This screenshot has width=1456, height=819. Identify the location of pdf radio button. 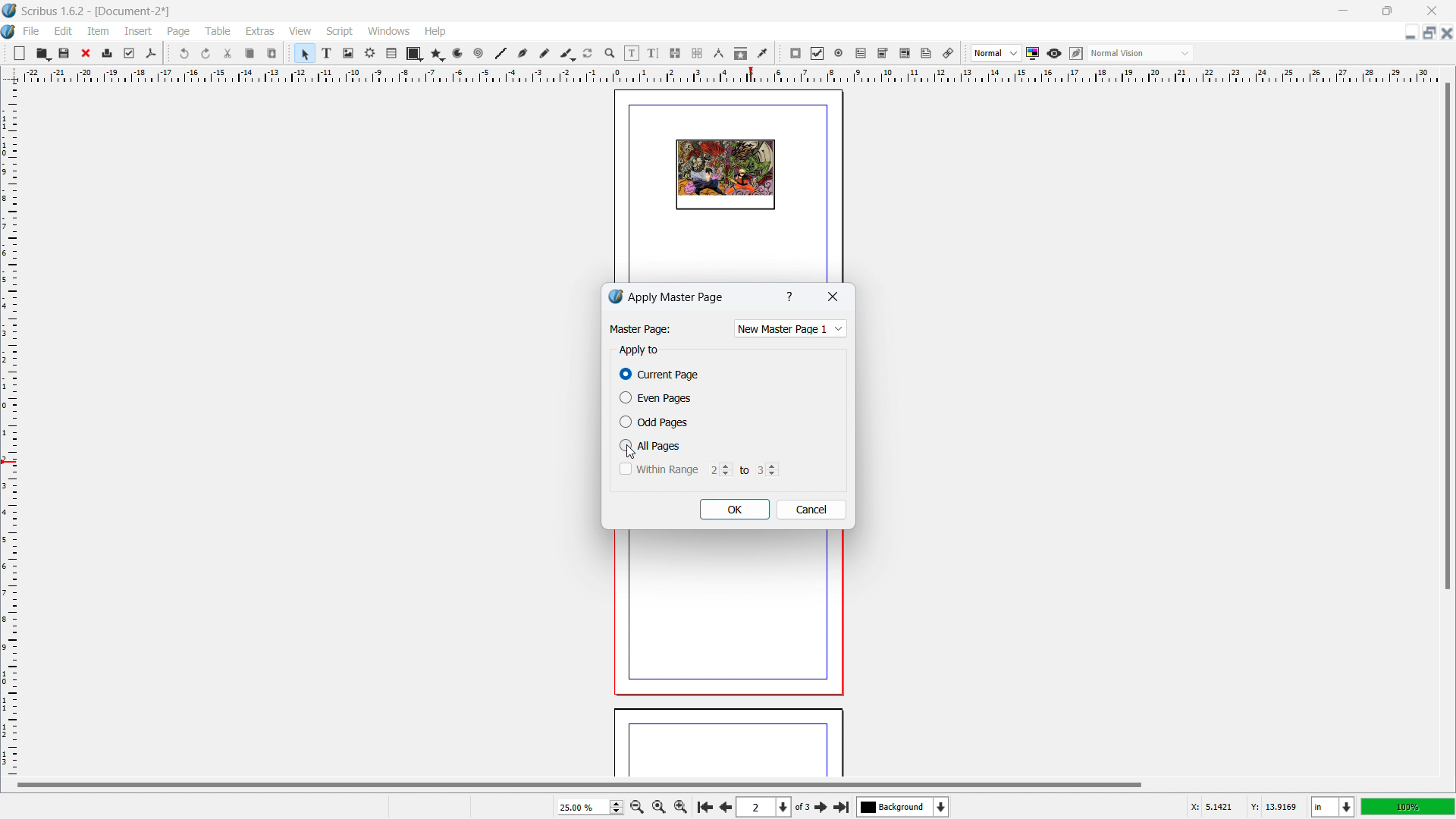
(839, 52).